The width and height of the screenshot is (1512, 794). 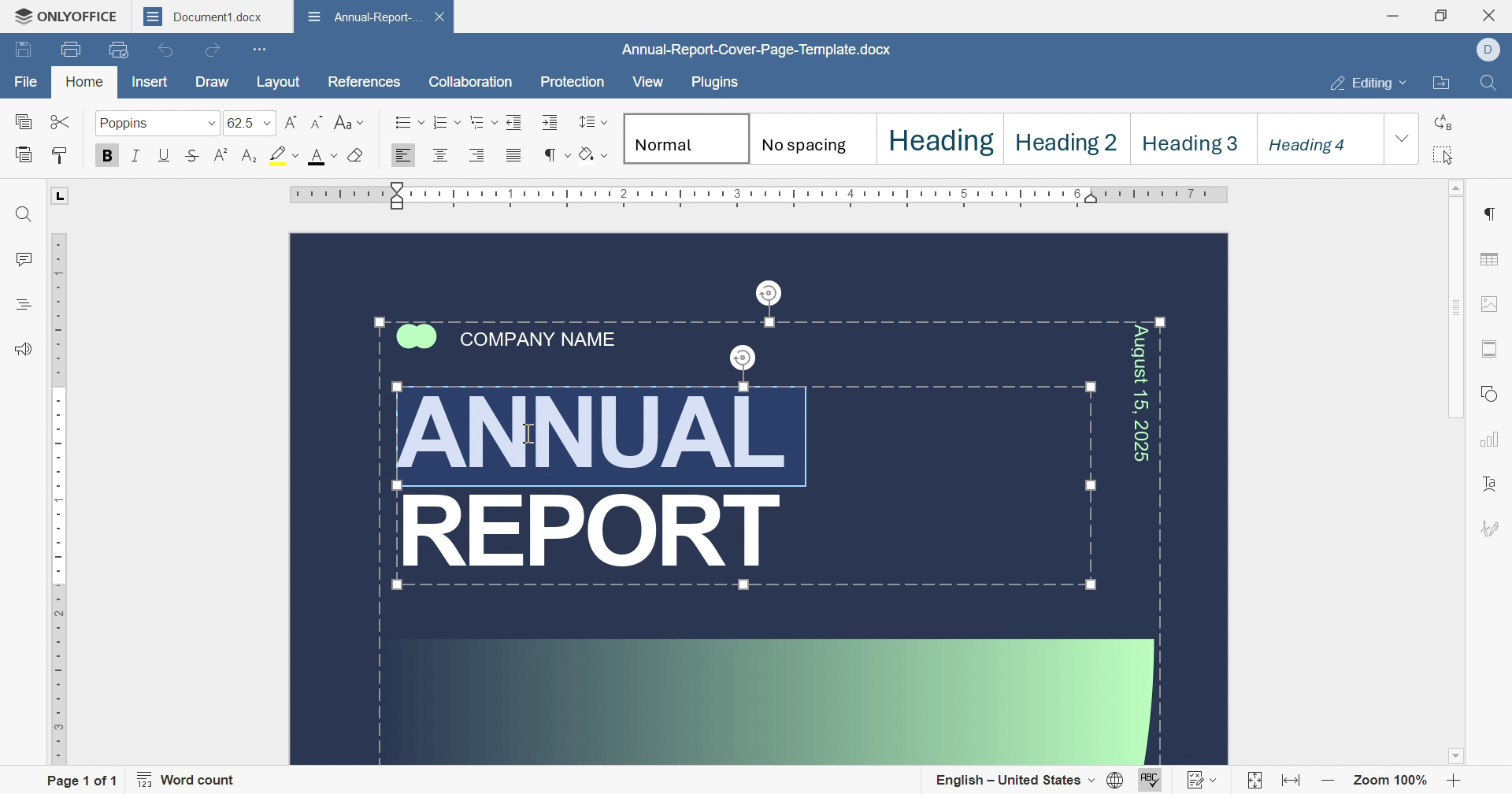 I want to click on quick print, so click(x=117, y=48).